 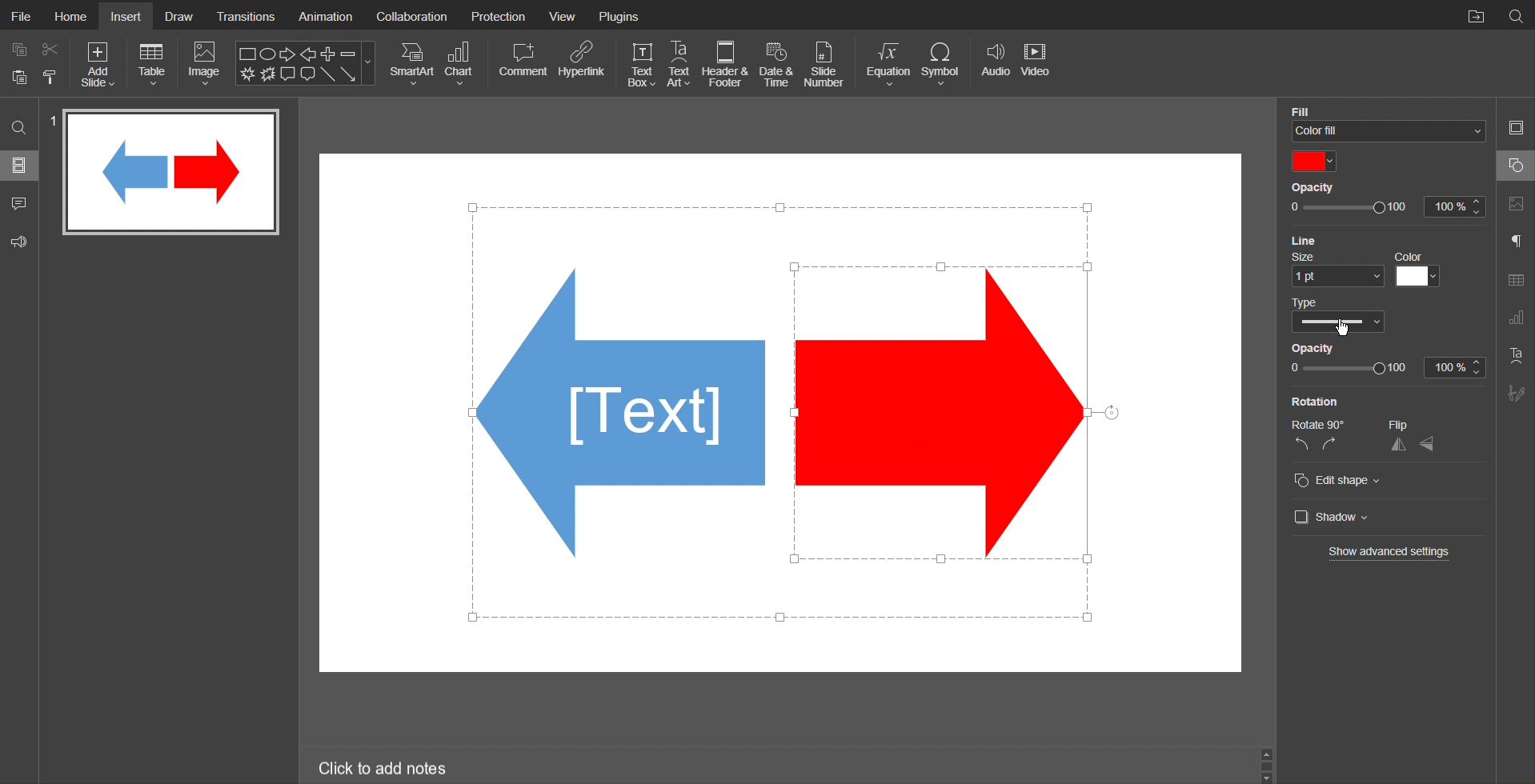 What do you see at coordinates (1417, 424) in the screenshot?
I see `Flip` at bounding box center [1417, 424].